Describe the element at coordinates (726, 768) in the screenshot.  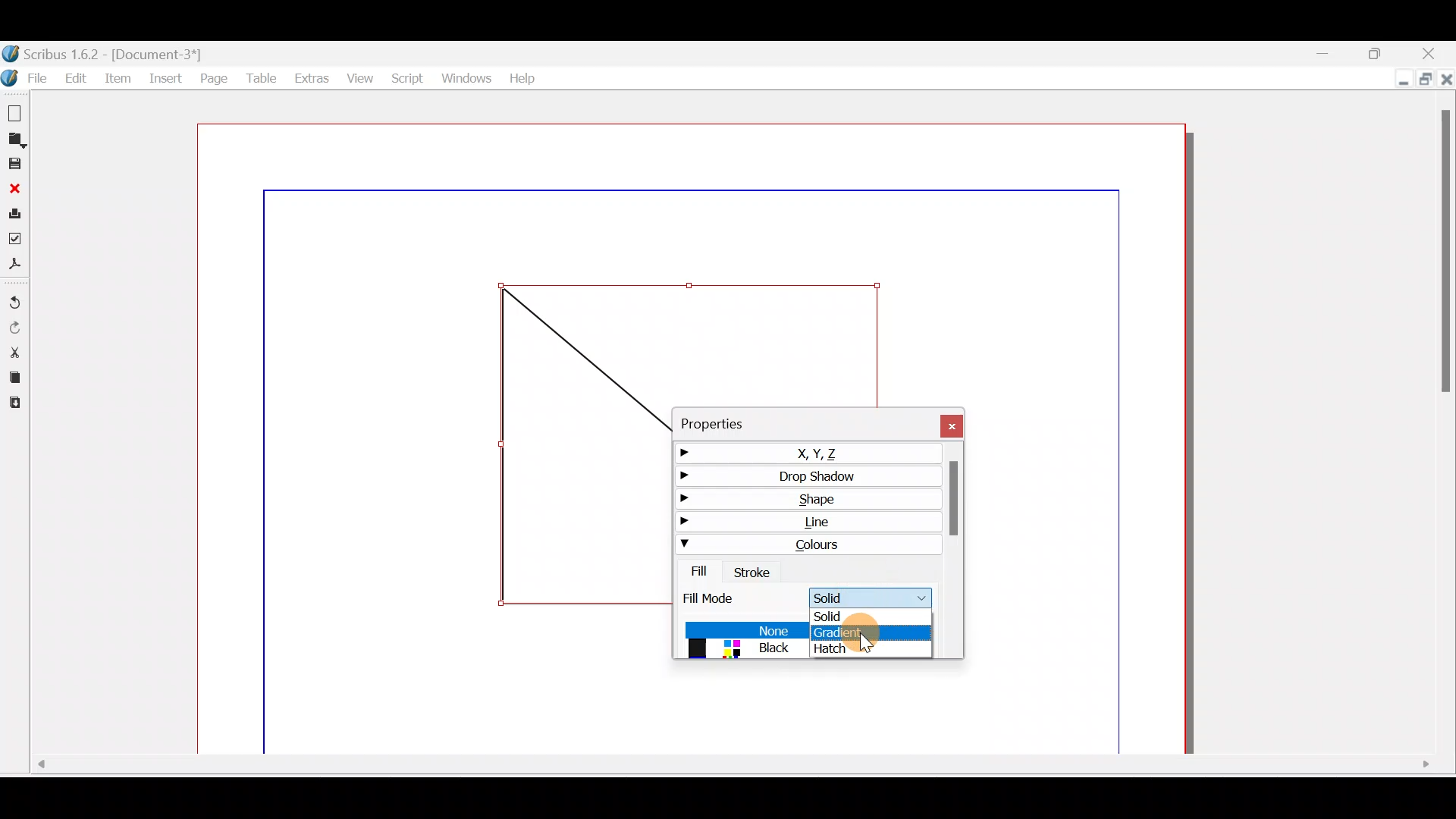
I see `Scroll bar` at that location.